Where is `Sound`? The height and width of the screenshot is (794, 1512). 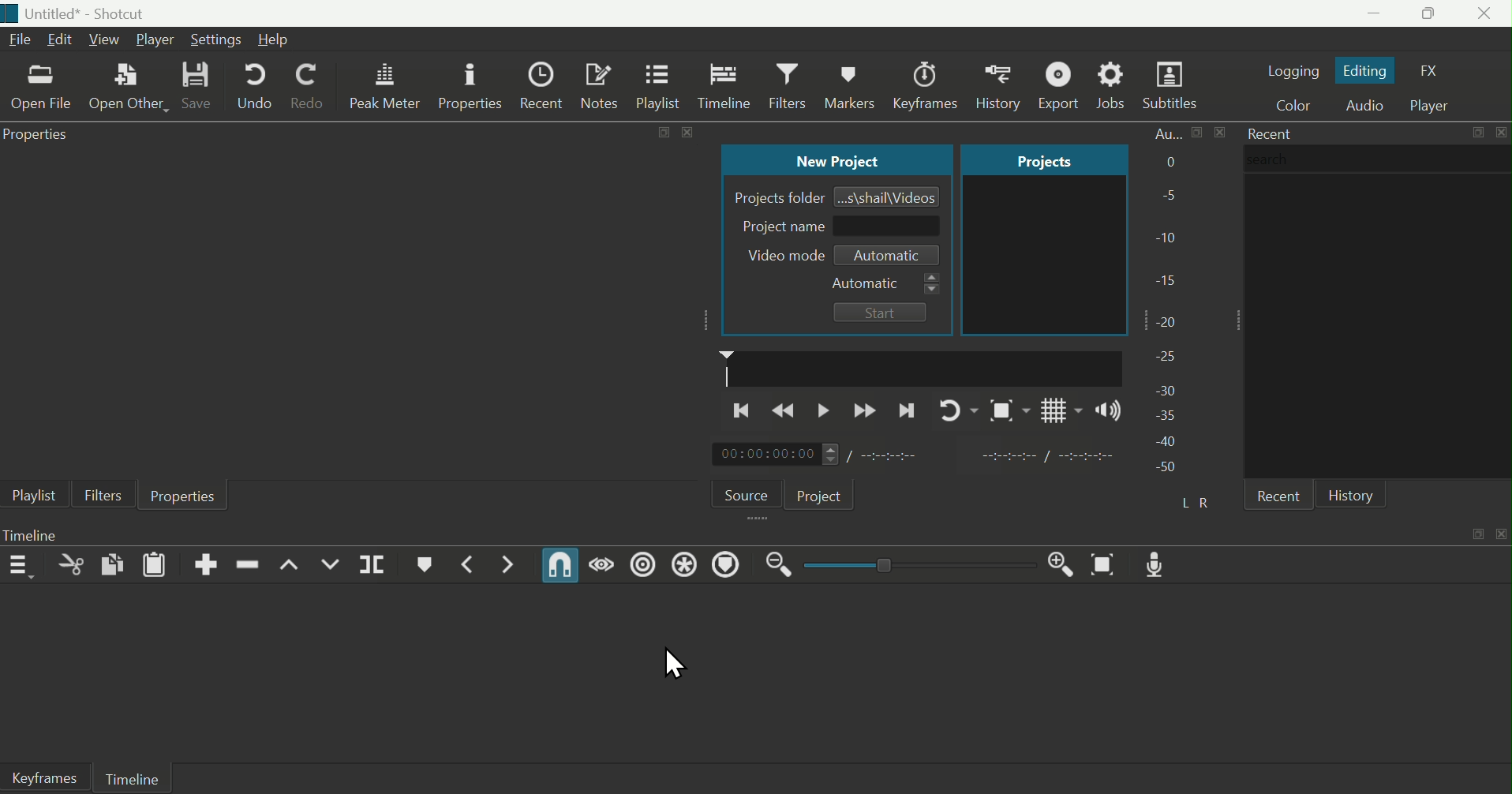
Sound is located at coordinates (1106, 410).